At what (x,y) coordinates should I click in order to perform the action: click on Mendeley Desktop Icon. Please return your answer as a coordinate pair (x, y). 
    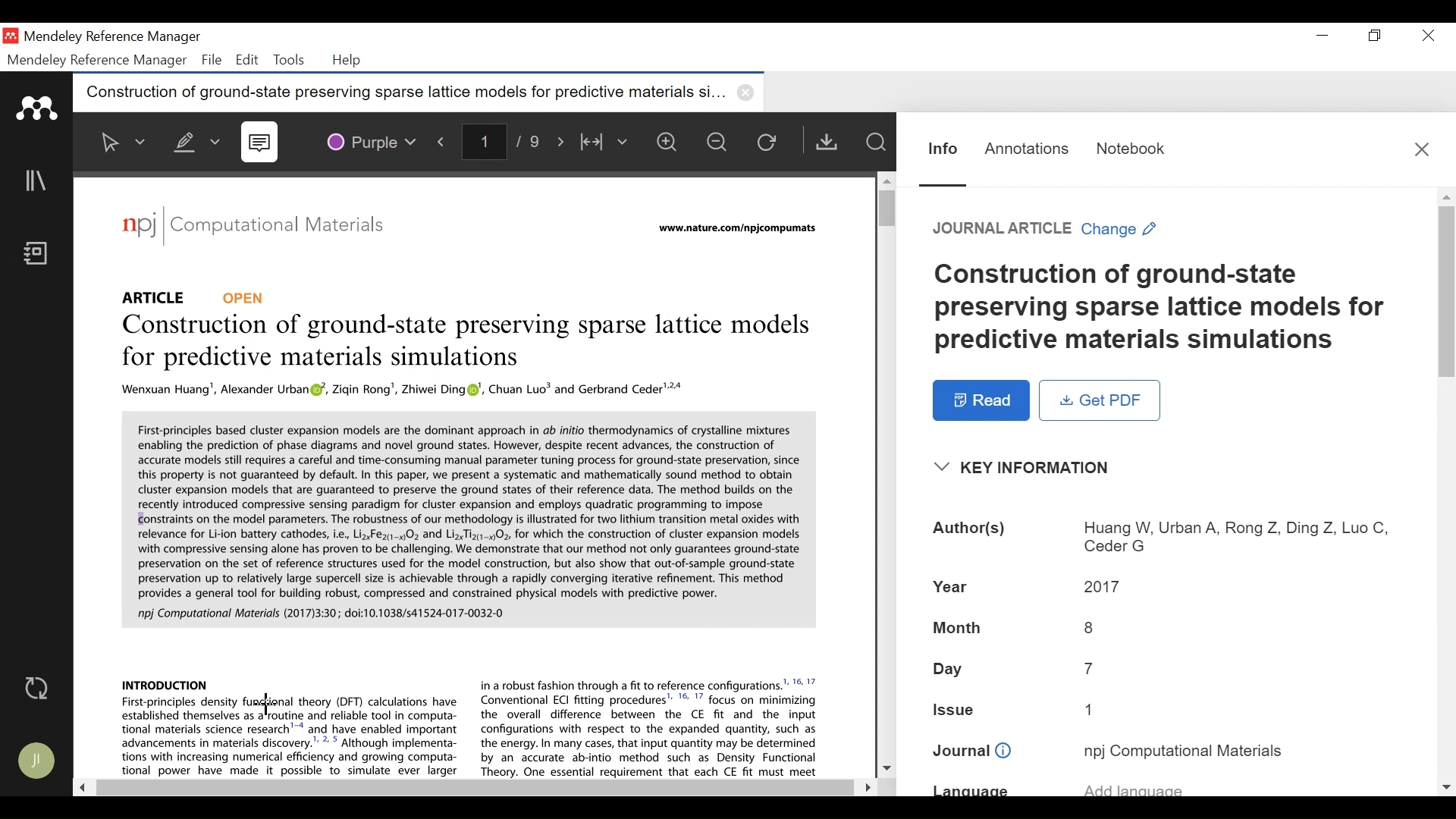
    Looking at the image, I should click on (11, 36).